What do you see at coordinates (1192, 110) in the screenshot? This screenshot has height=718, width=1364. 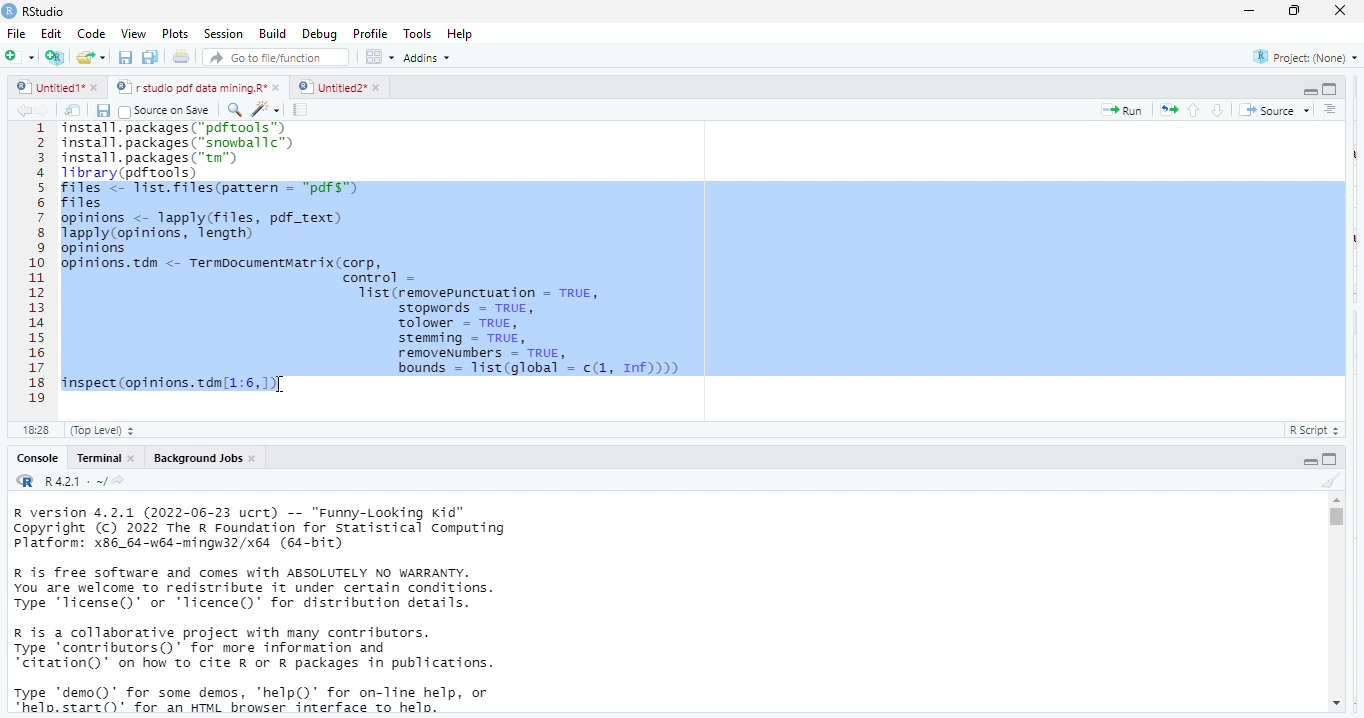 I see `go to previous section/chunk` at bounding box center [1192, 110].